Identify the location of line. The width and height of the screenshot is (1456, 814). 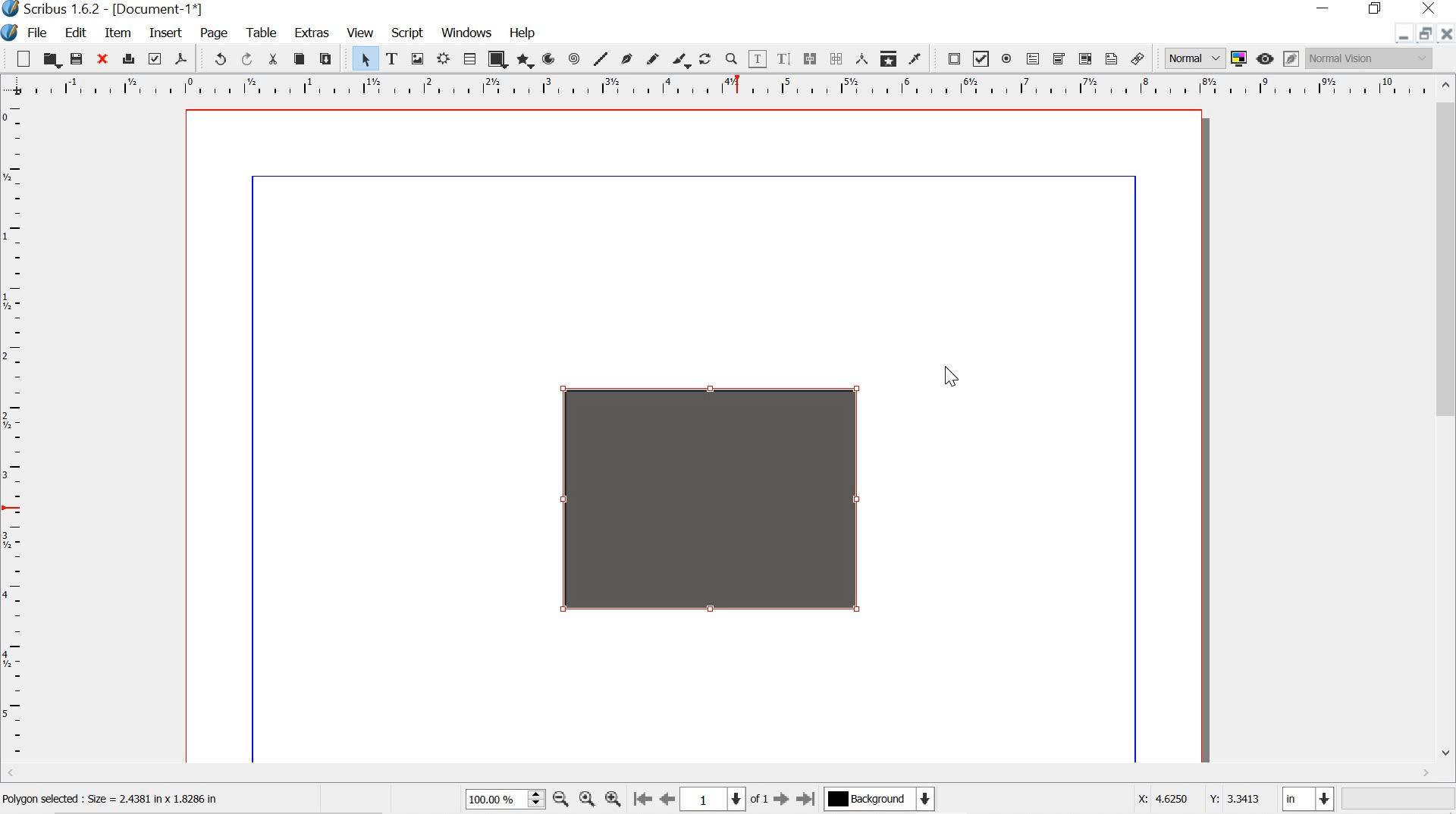
(601, 58).